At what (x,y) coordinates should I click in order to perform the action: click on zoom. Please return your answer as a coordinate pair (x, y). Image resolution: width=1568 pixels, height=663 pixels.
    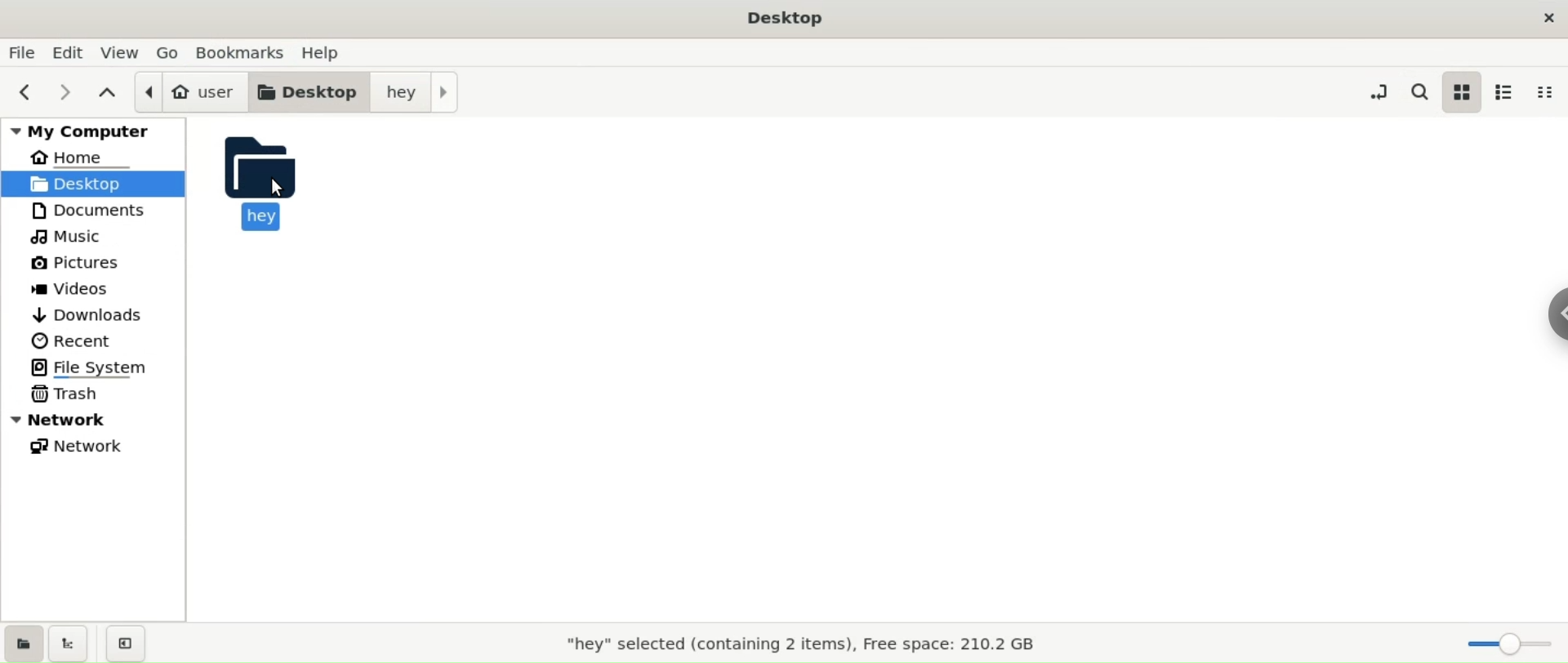
    Looking at the image, I should click on (1512, 640).